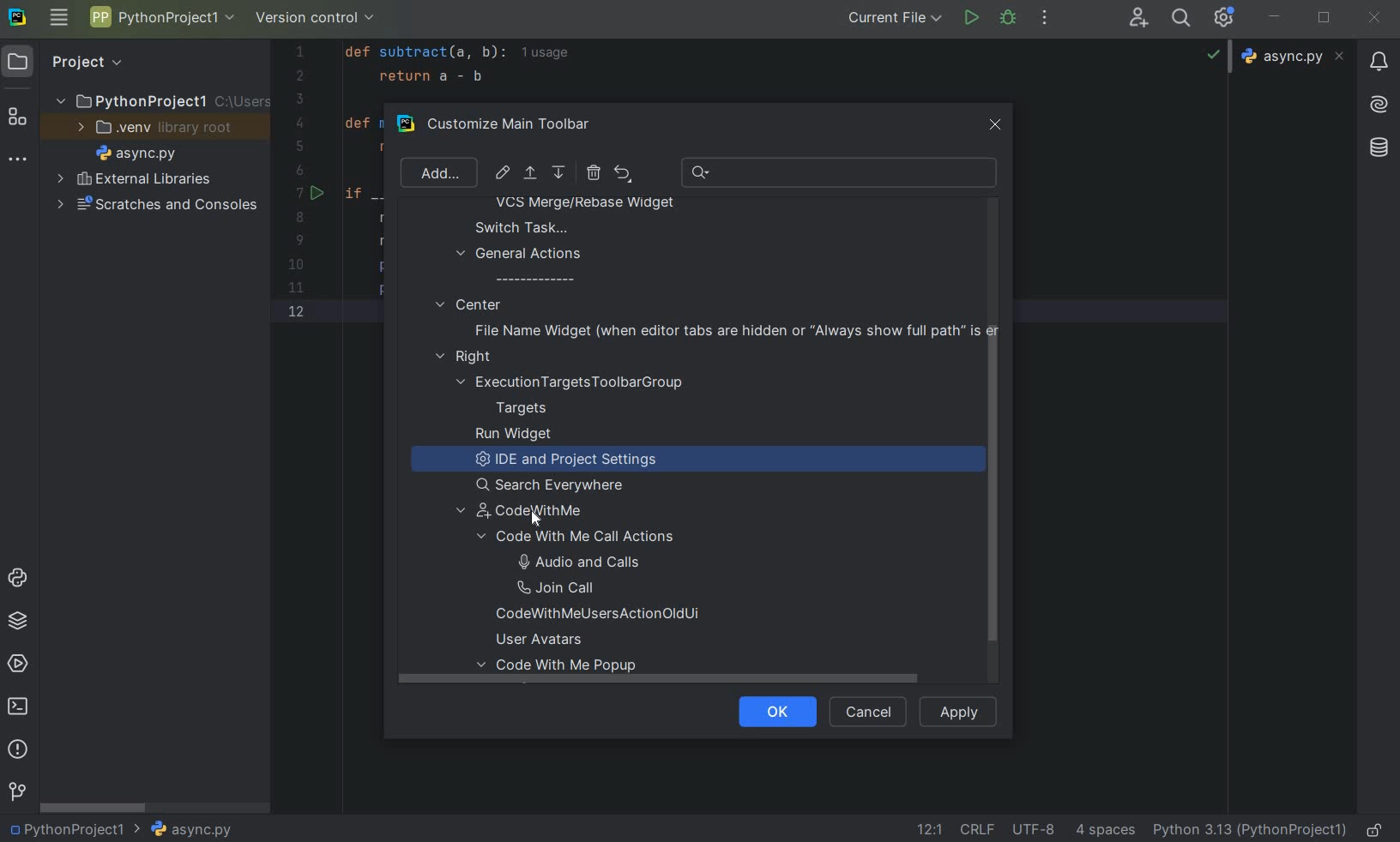  What do you see at coordinates (1379, 60) in the screenshot?
I see `updates` at bounding box center [1379, 60].